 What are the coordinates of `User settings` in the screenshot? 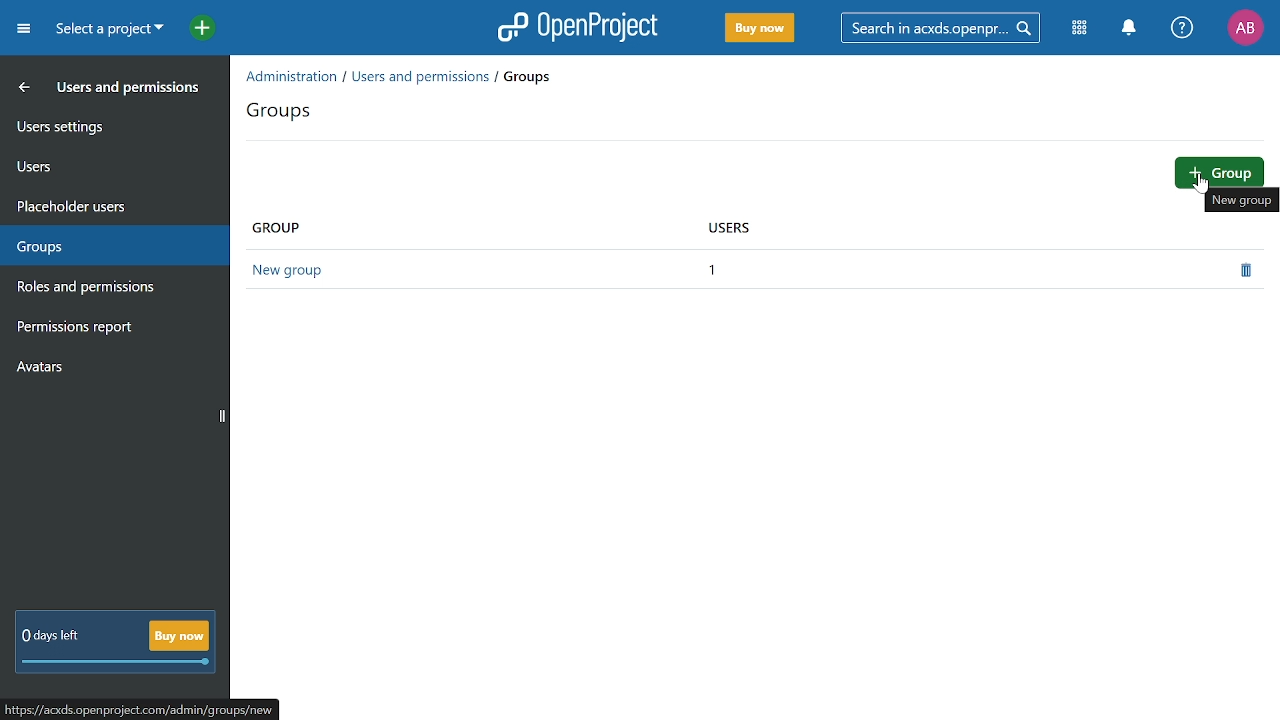 It's located at (103, 125).